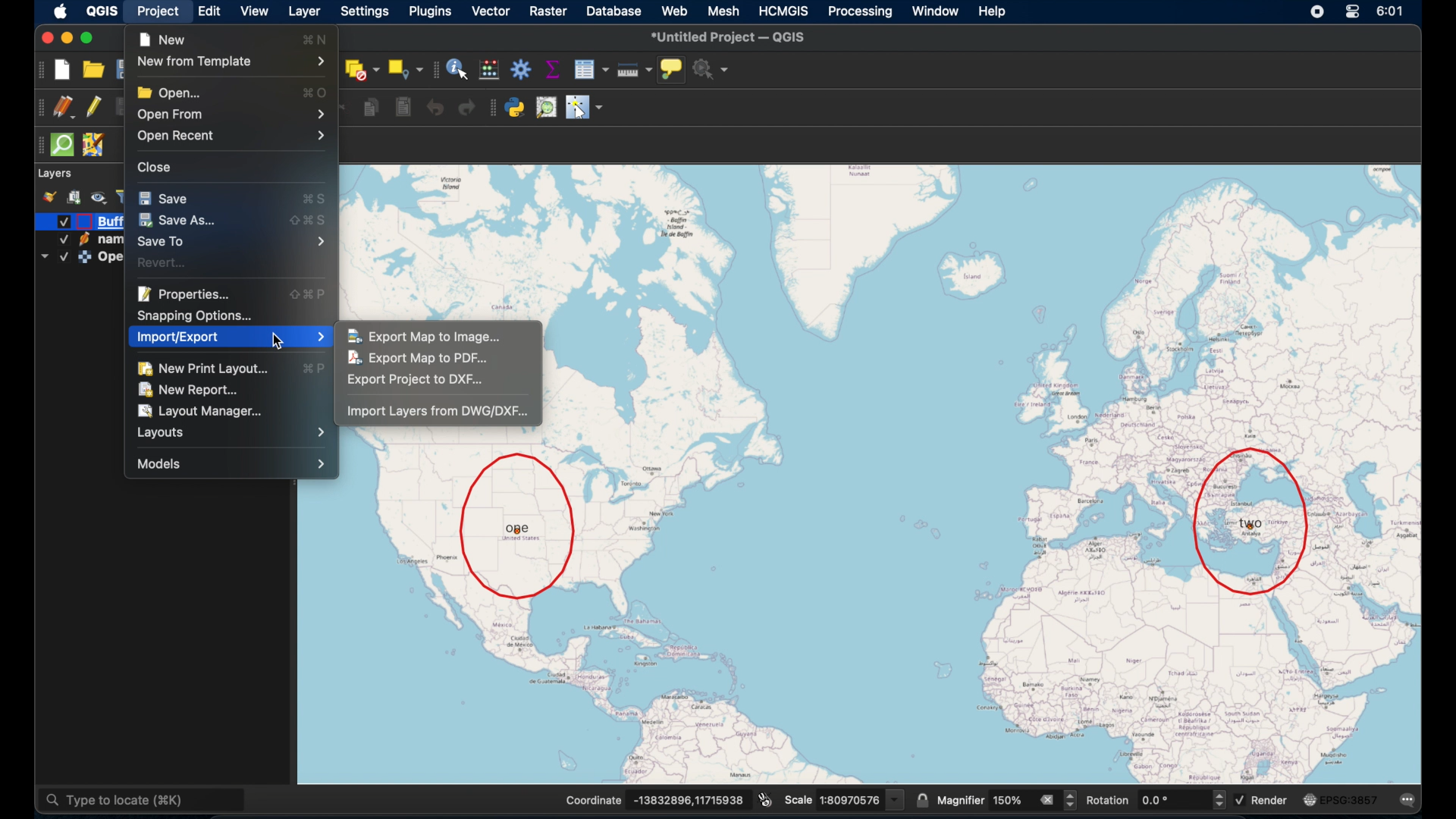 This screenshot has height=819, width=1456. Describe the element at coordinates (519, 526) in the screenshot. I see `location one` at that location.